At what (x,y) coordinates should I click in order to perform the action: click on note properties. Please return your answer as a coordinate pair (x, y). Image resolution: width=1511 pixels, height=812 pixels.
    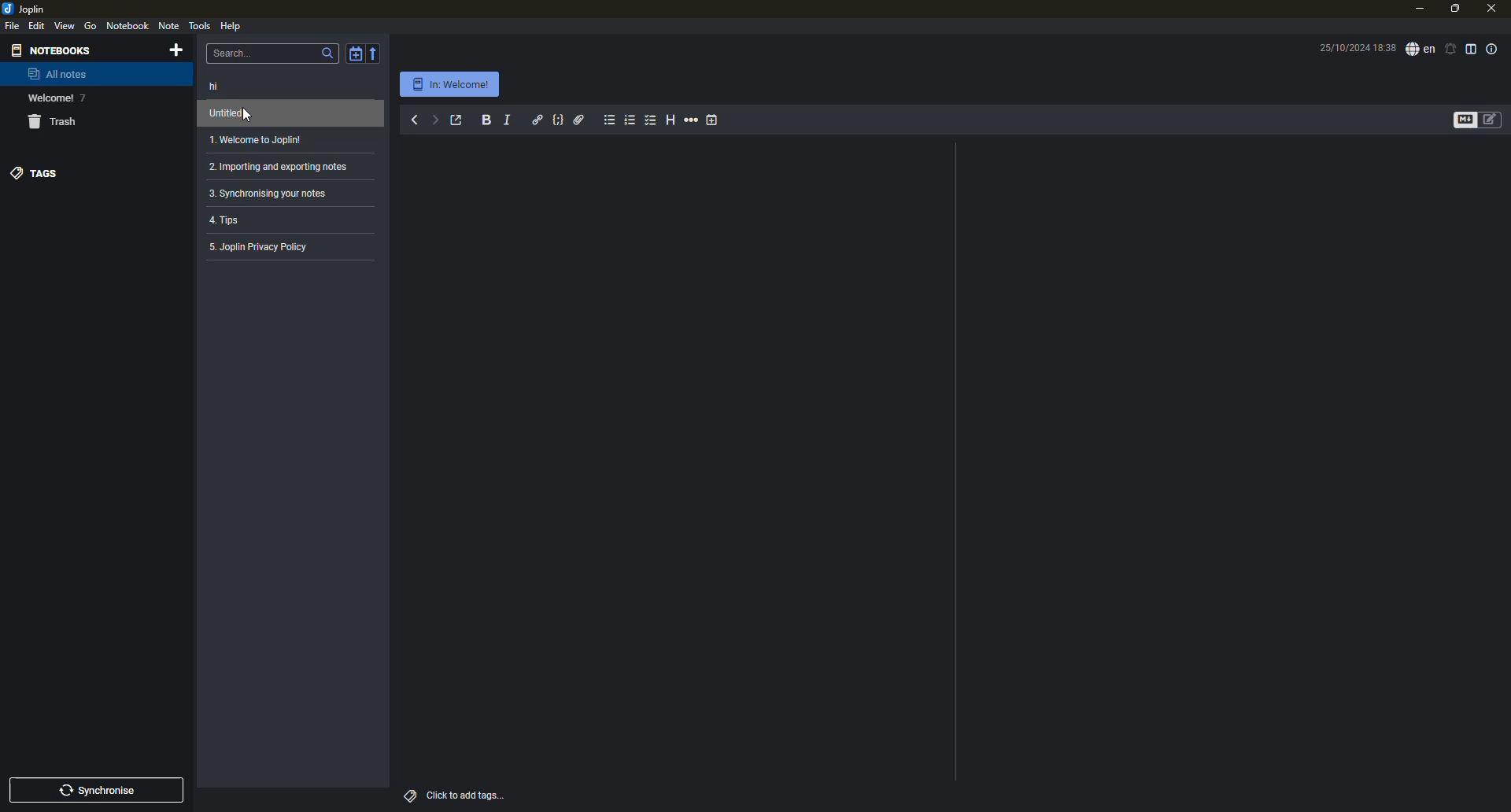
    Looking at the image, I should click on (1494, 49).